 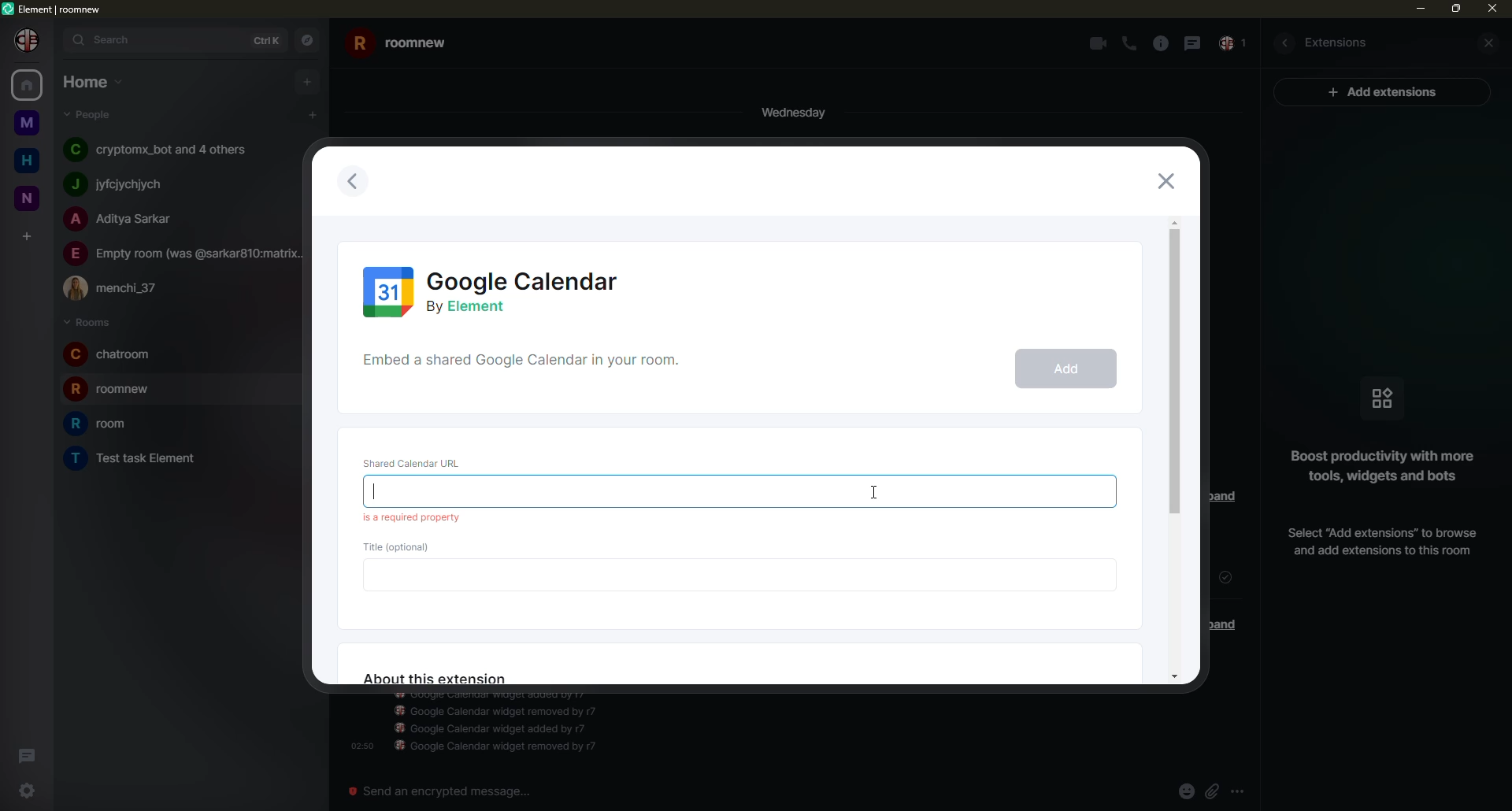 What do you see at coordinates (1503, 428) in the screenshot?
I see `vertical scrollbar` at bounding box center [1503, 428].